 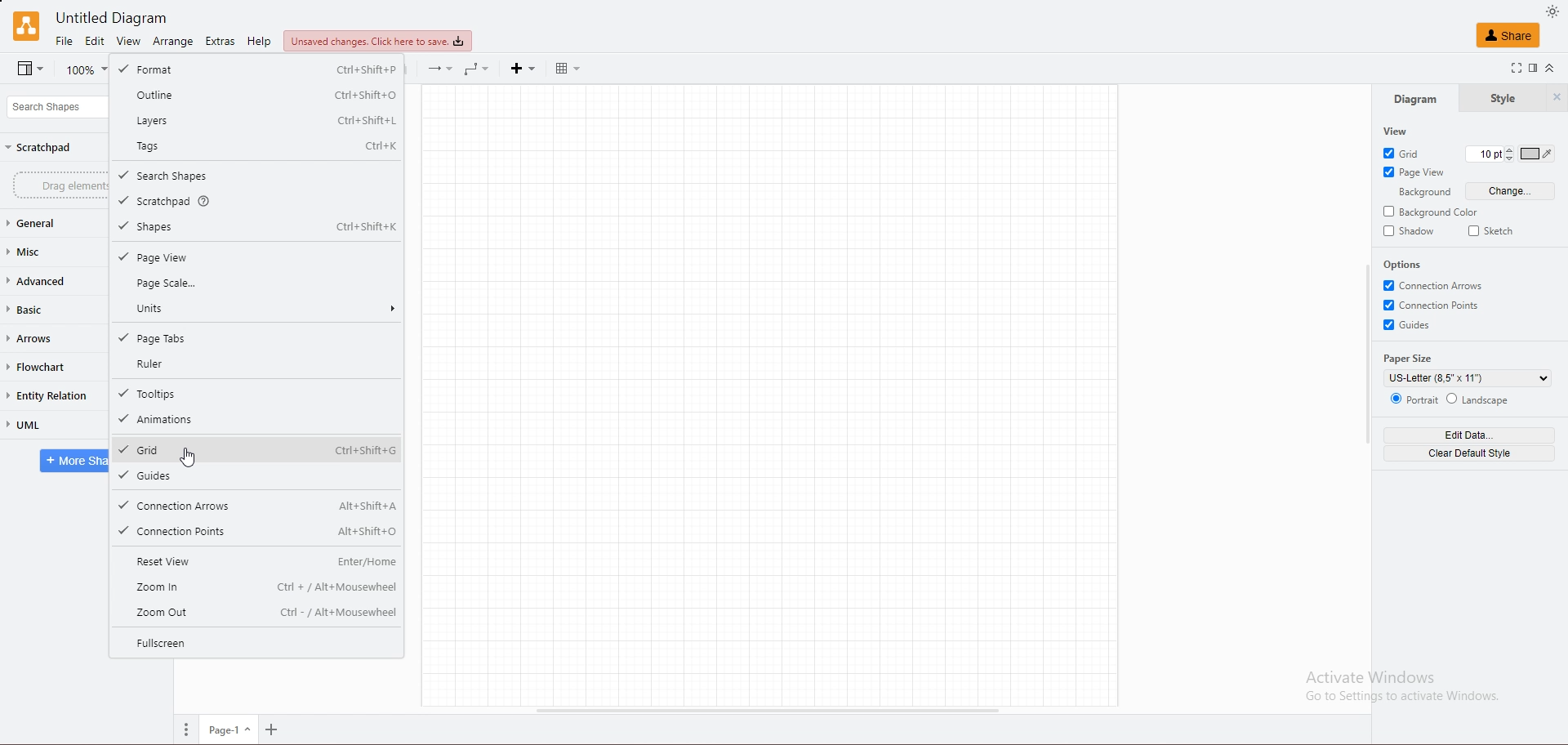 I want to click on current grid pt 10 pt, so click(x=1482, y=153).